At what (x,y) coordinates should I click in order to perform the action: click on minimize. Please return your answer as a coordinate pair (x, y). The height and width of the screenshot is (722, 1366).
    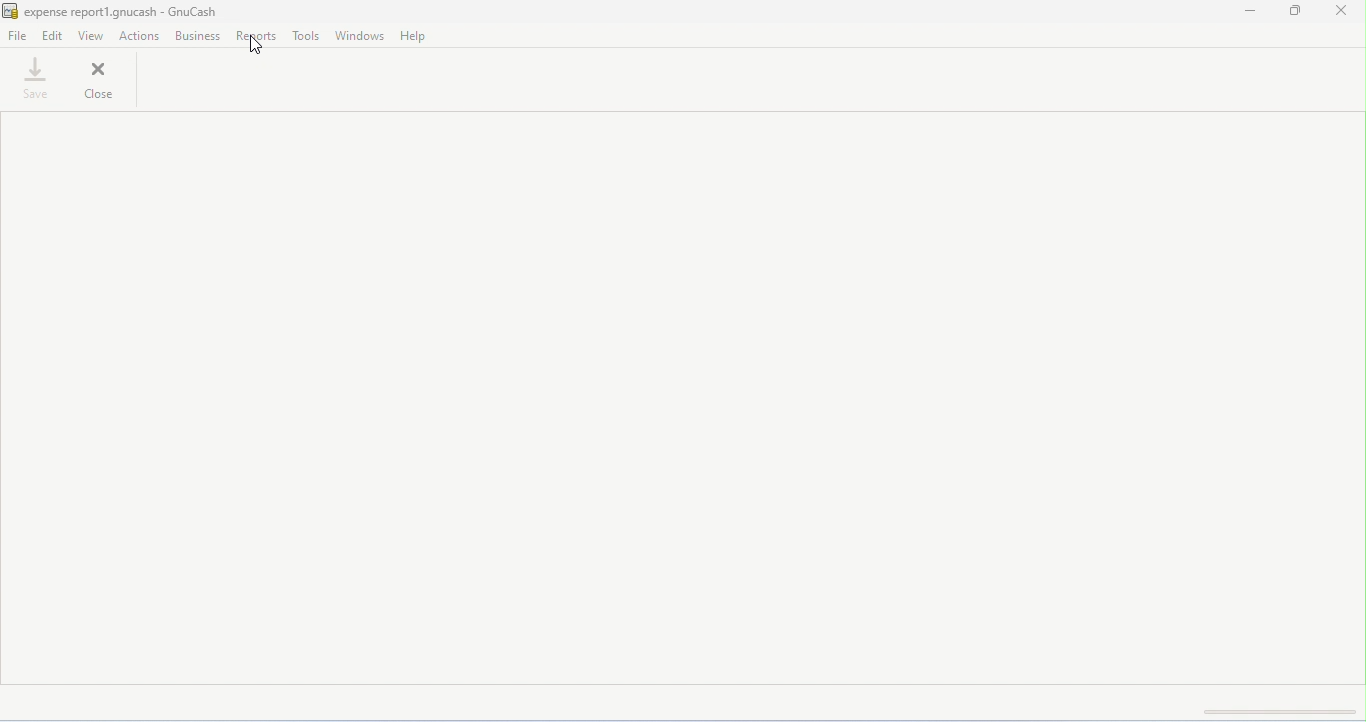
    Looking at the image, I should click on (1248, 12).